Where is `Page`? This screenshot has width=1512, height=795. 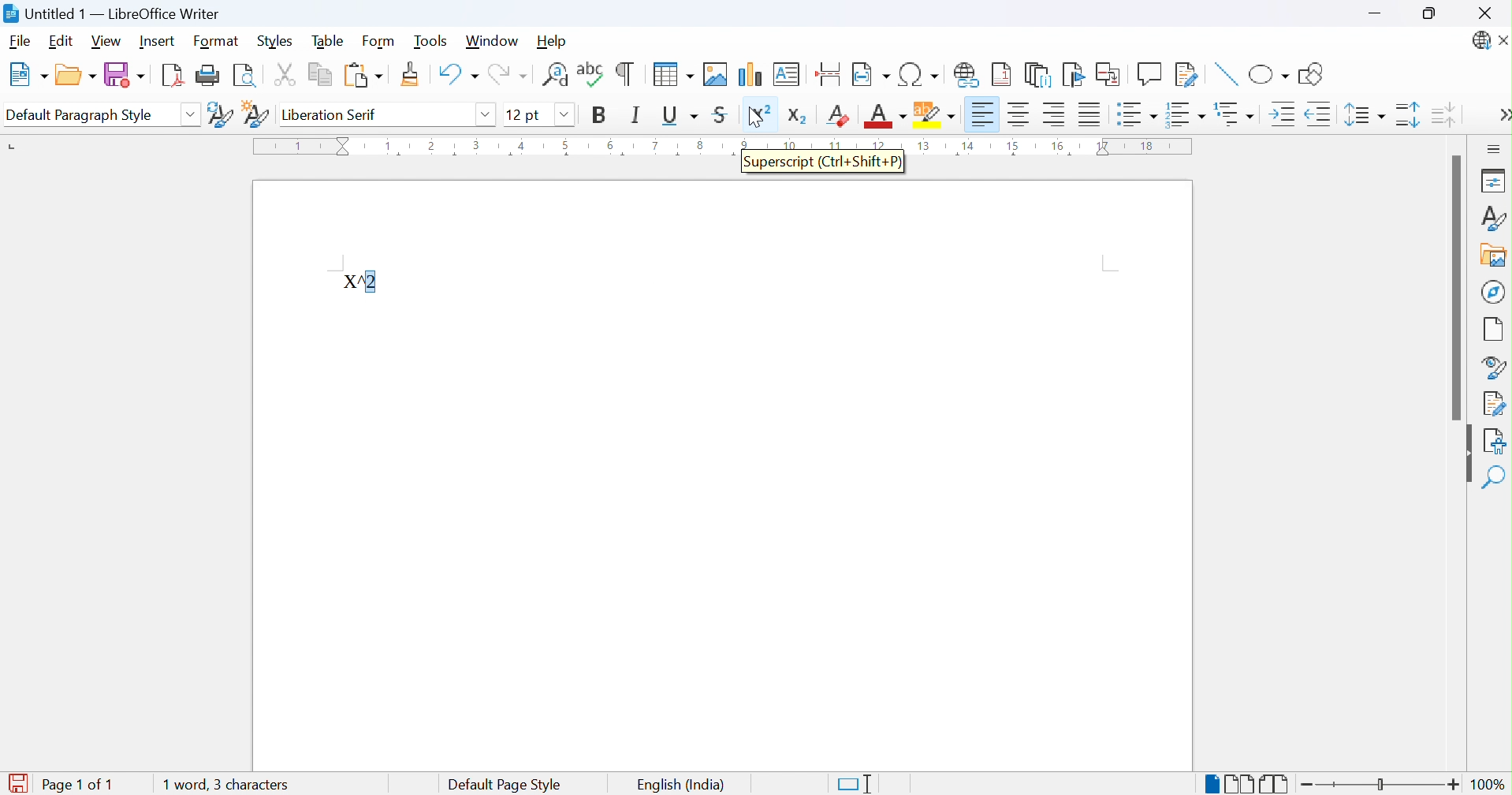
Page is located at coordinates (1493, 330).